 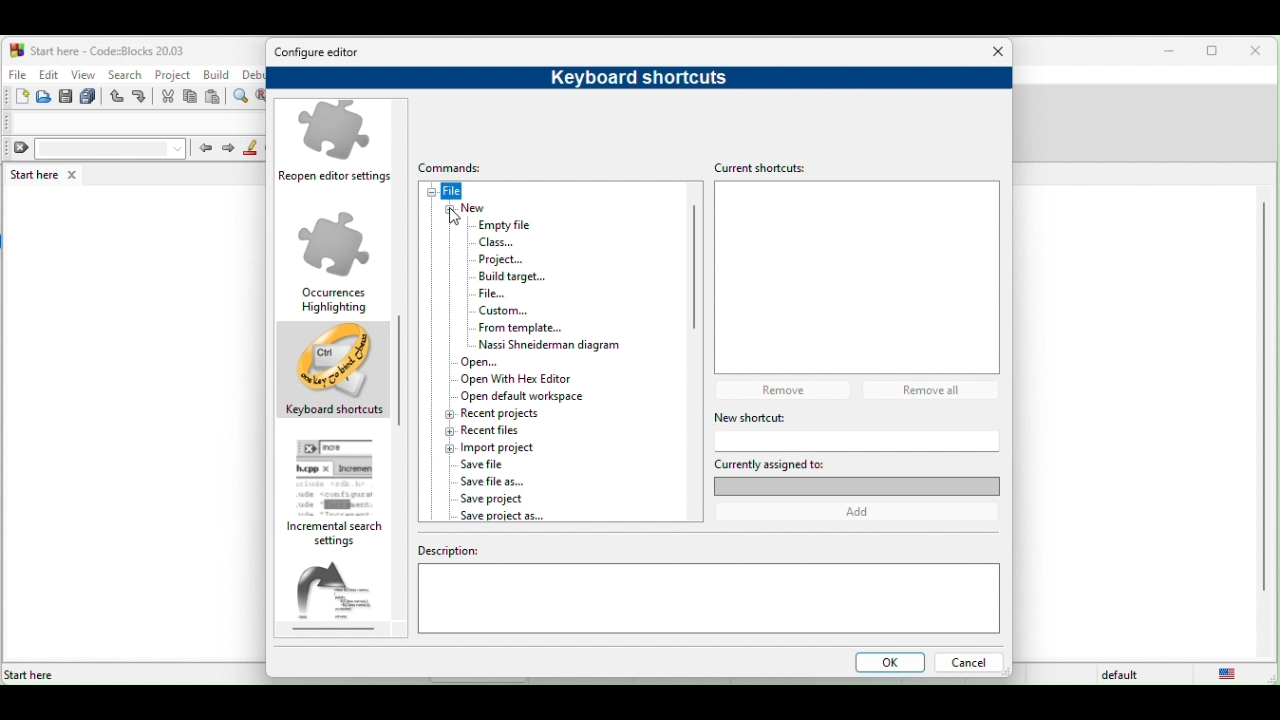 I want to click on vertical scroll bar, so click(x=693, y=273).